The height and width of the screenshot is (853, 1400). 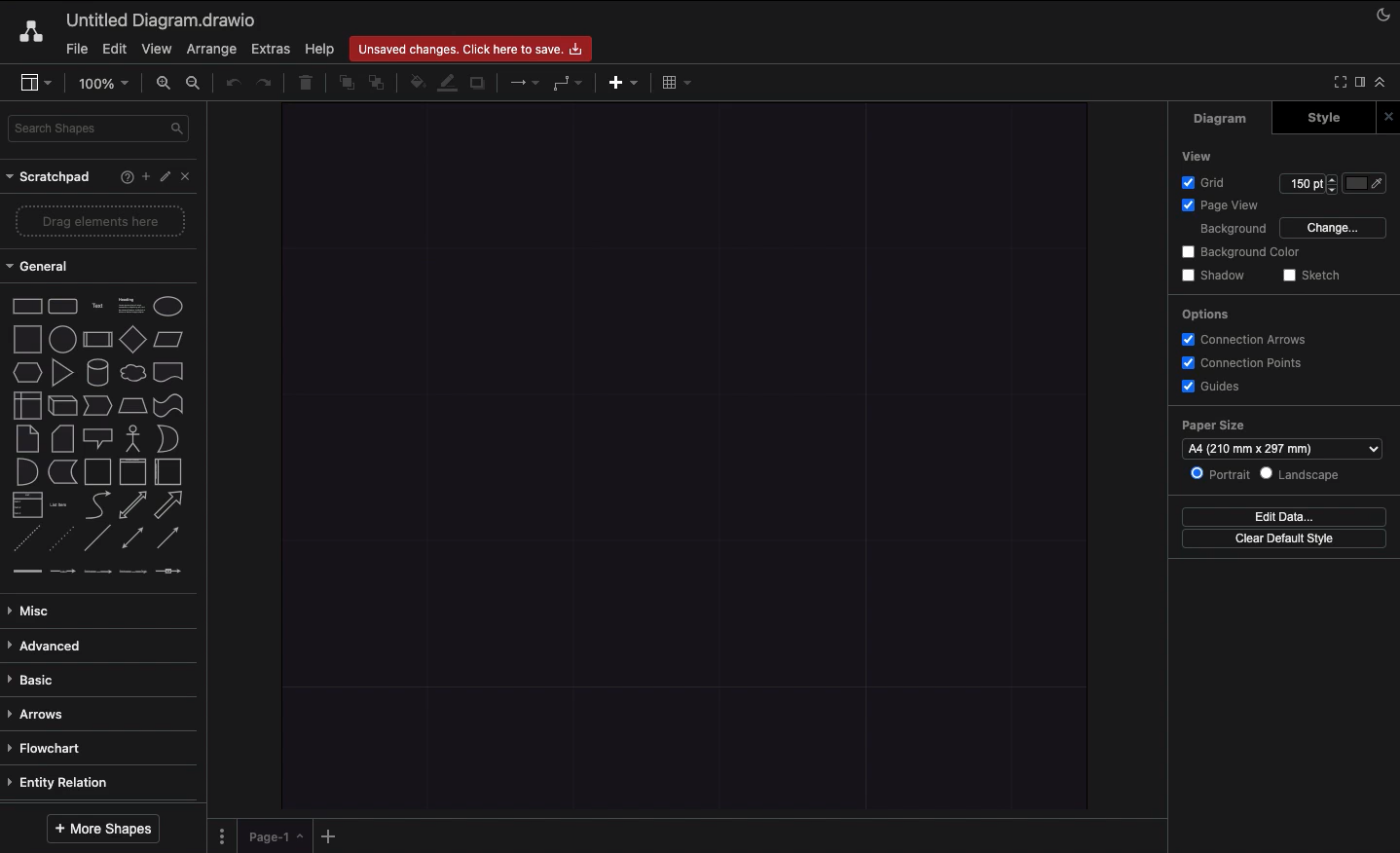 What do you see at coordinates (1231, 230) in the screenshot?
I see `Background` at bounding box center [1231, 230].